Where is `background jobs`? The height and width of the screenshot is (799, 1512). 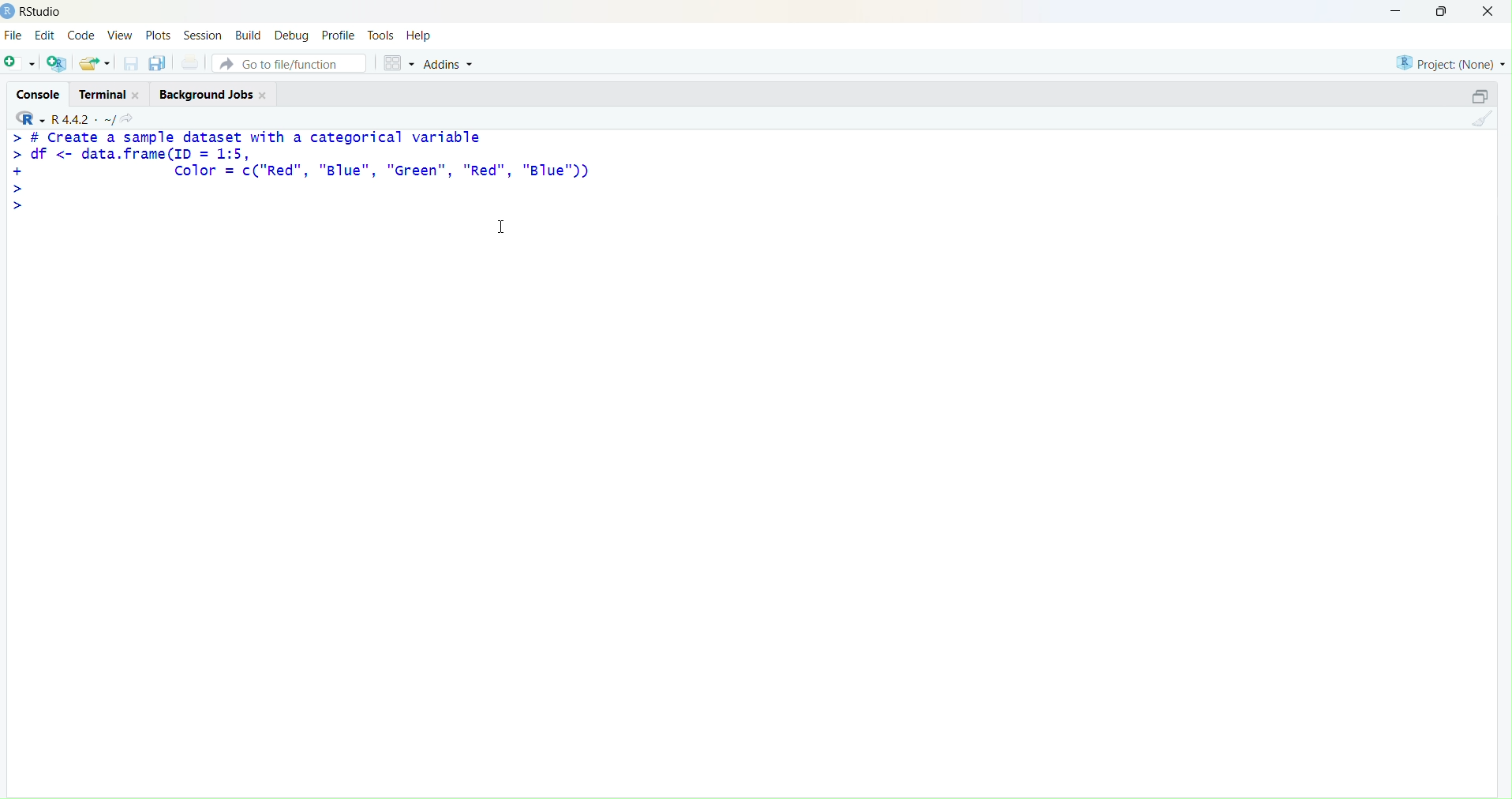
background jobs is located at coordinates (208, 96).